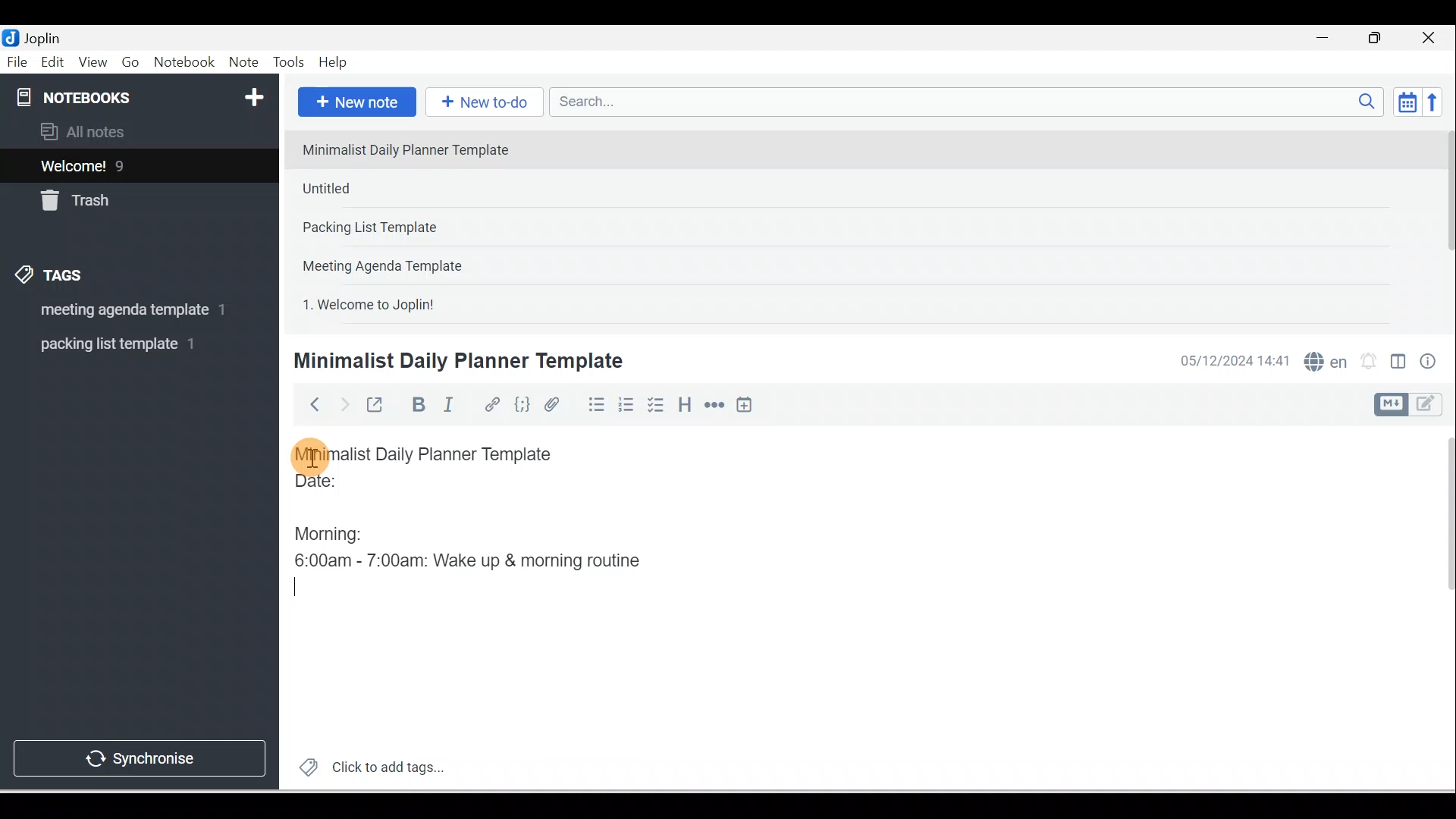  Describe the element at coordinates (138, 755) in the screenshot. I see `Synchronise` at that location.